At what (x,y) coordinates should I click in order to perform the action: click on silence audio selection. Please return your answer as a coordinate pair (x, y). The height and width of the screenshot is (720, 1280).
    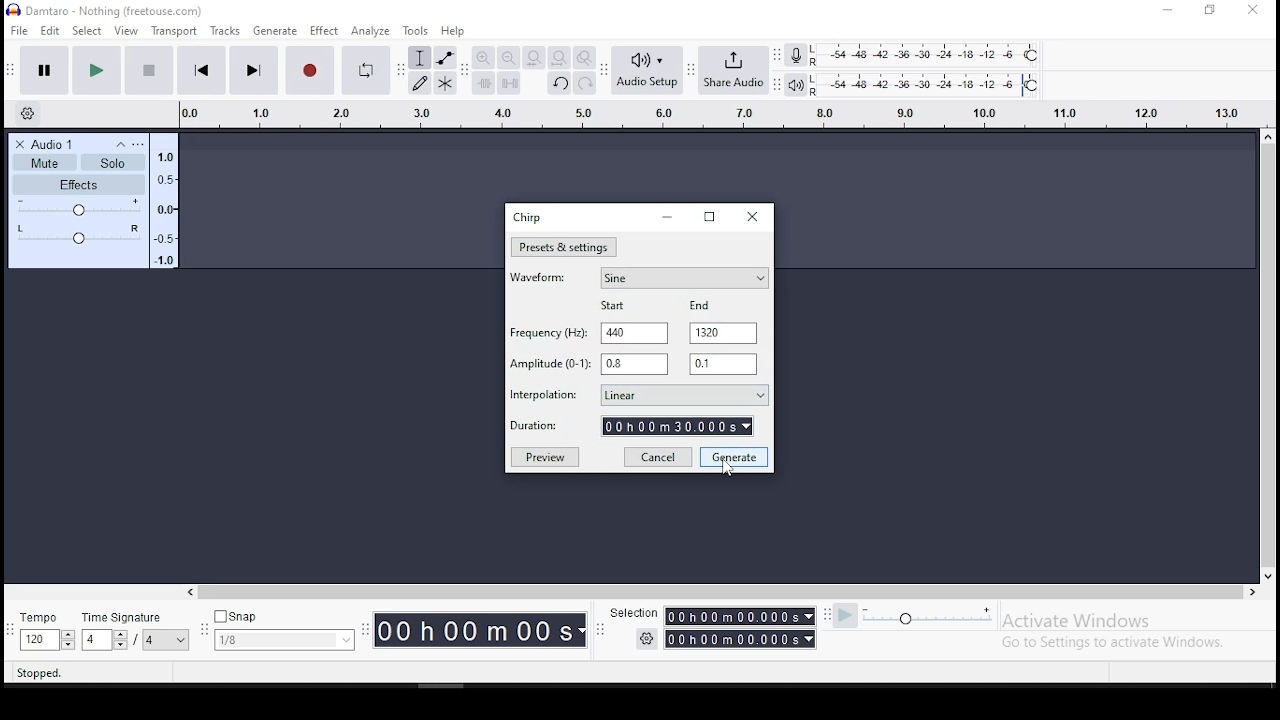
    Looking at the image, I should click on (510, 83).